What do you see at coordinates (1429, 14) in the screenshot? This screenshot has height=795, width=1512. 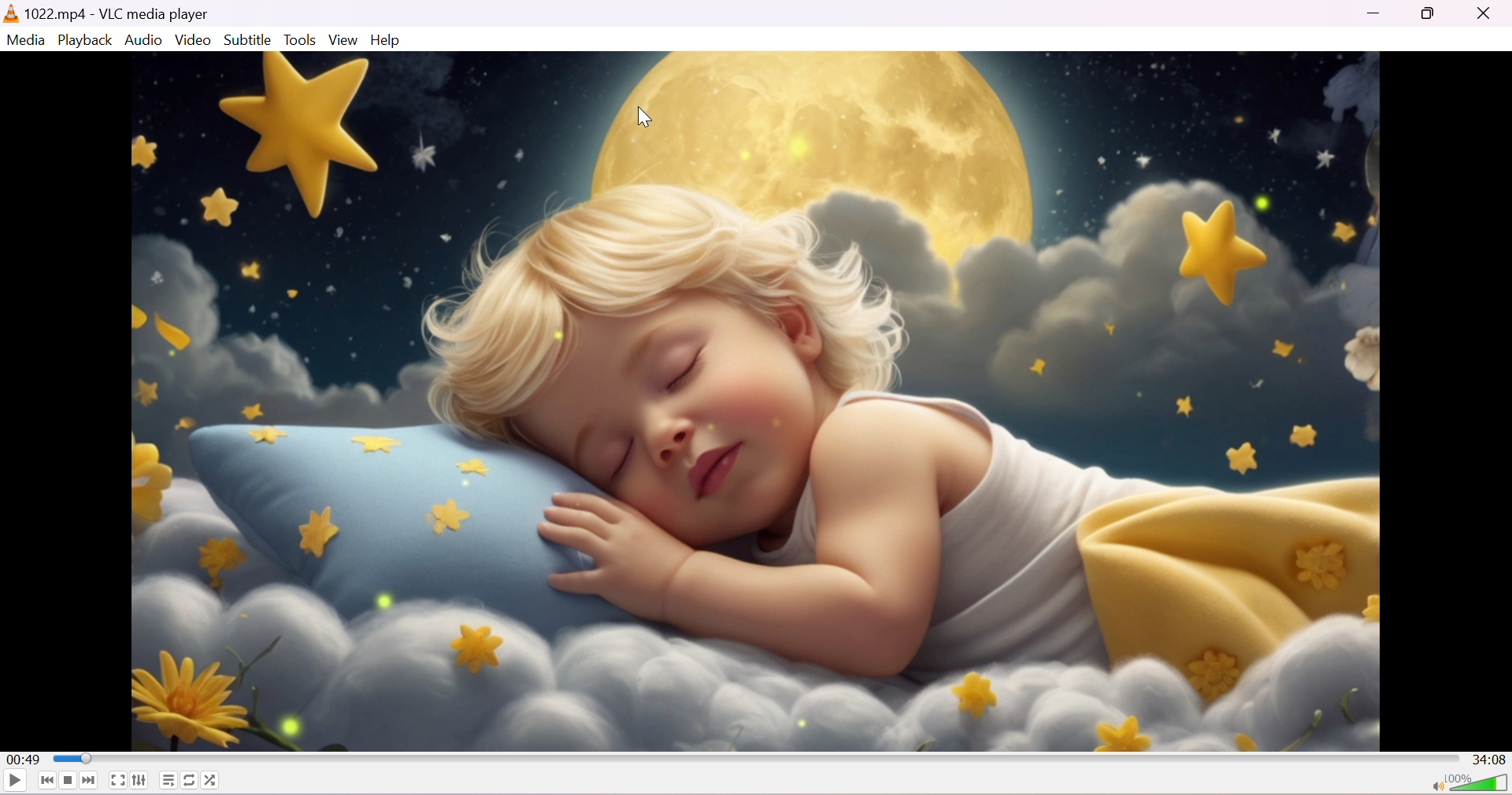 I see `Maximize` at bounding box center [1429, 14].